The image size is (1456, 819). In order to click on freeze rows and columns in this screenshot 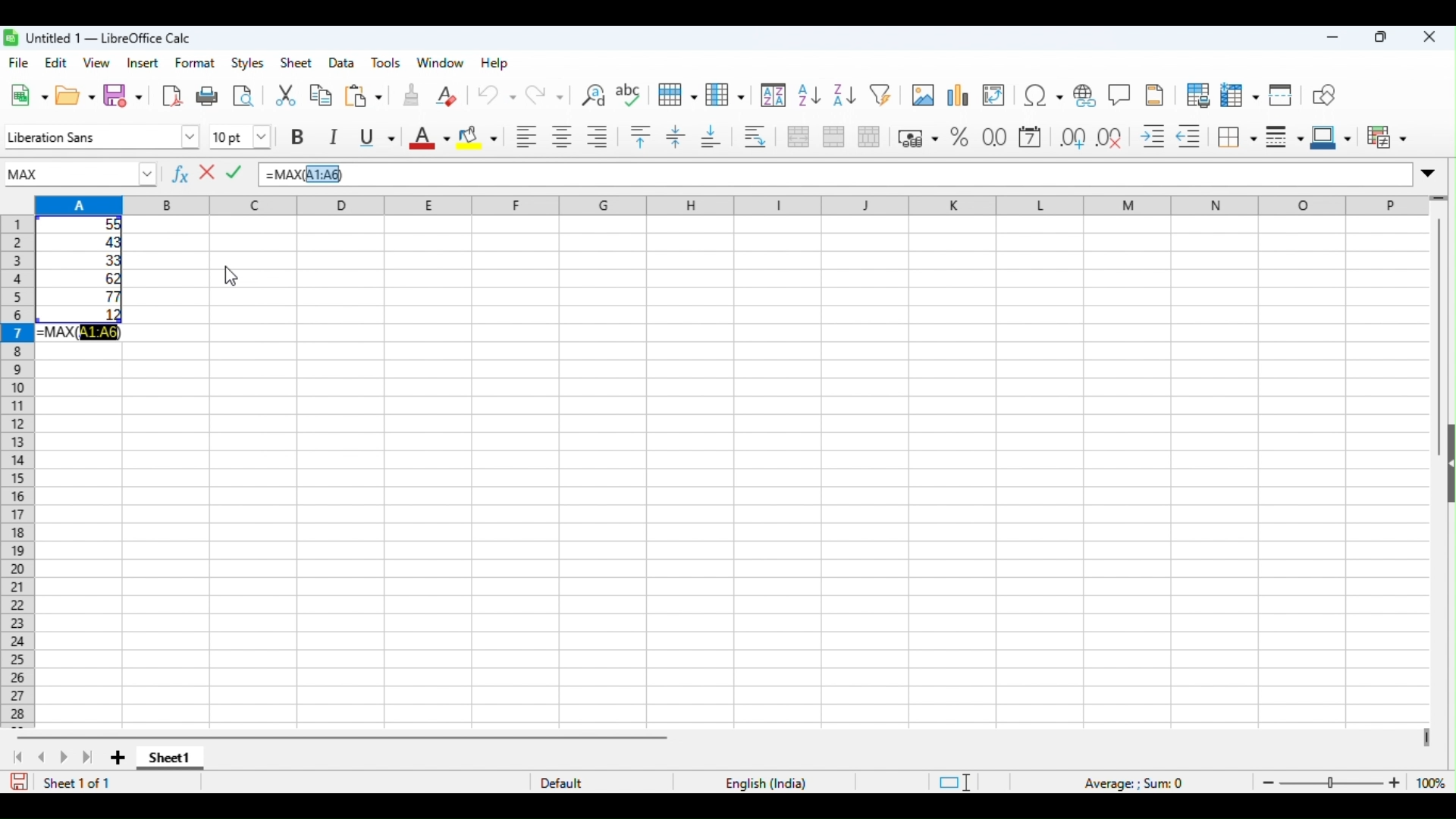, I will do `click(1241, 94)`.